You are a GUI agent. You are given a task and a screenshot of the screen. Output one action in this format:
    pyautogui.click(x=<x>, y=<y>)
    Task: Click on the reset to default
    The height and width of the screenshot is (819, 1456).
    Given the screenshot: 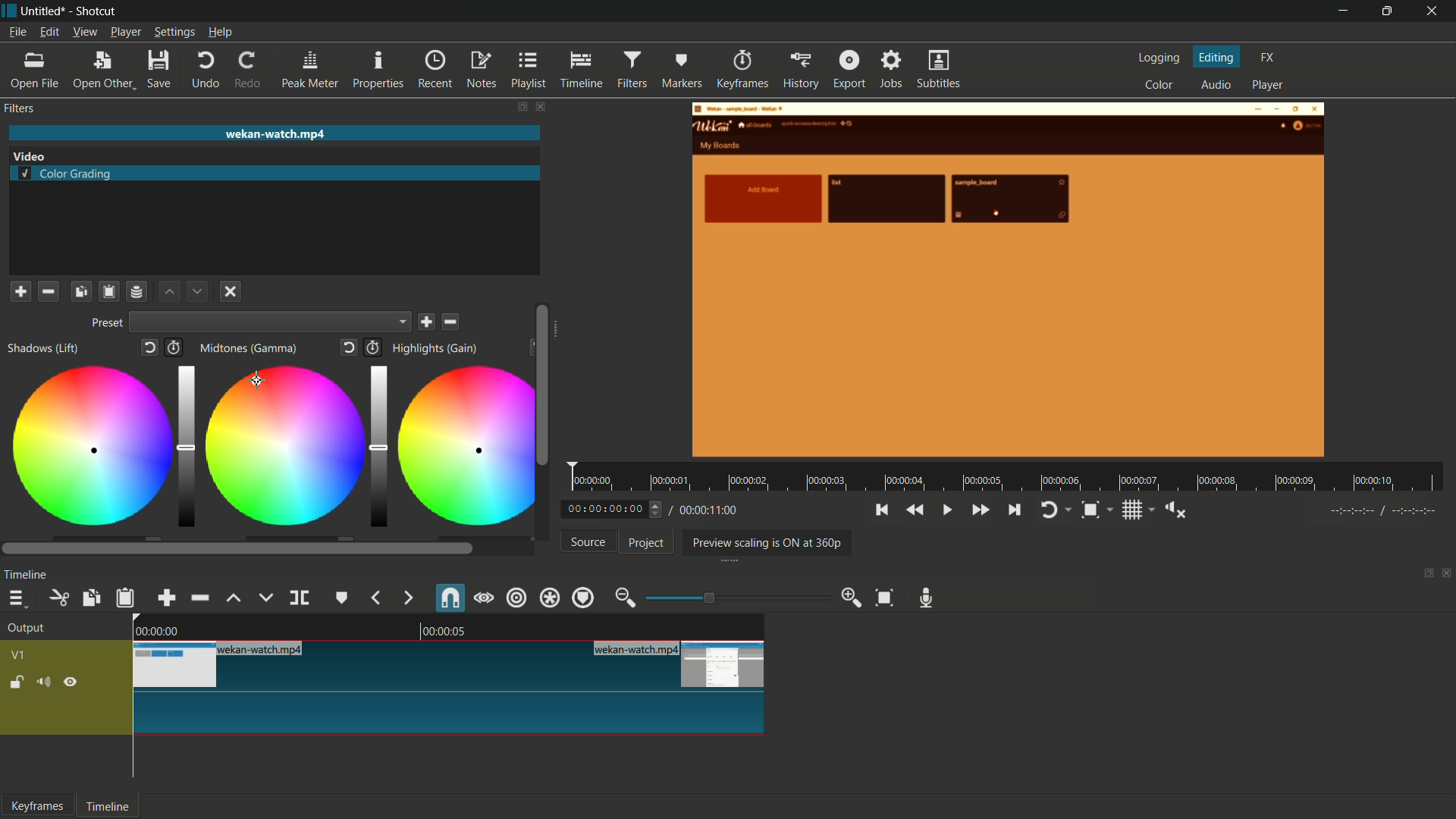 What is the action you would take?
    pyautogui.click(x=350, y=347)
    